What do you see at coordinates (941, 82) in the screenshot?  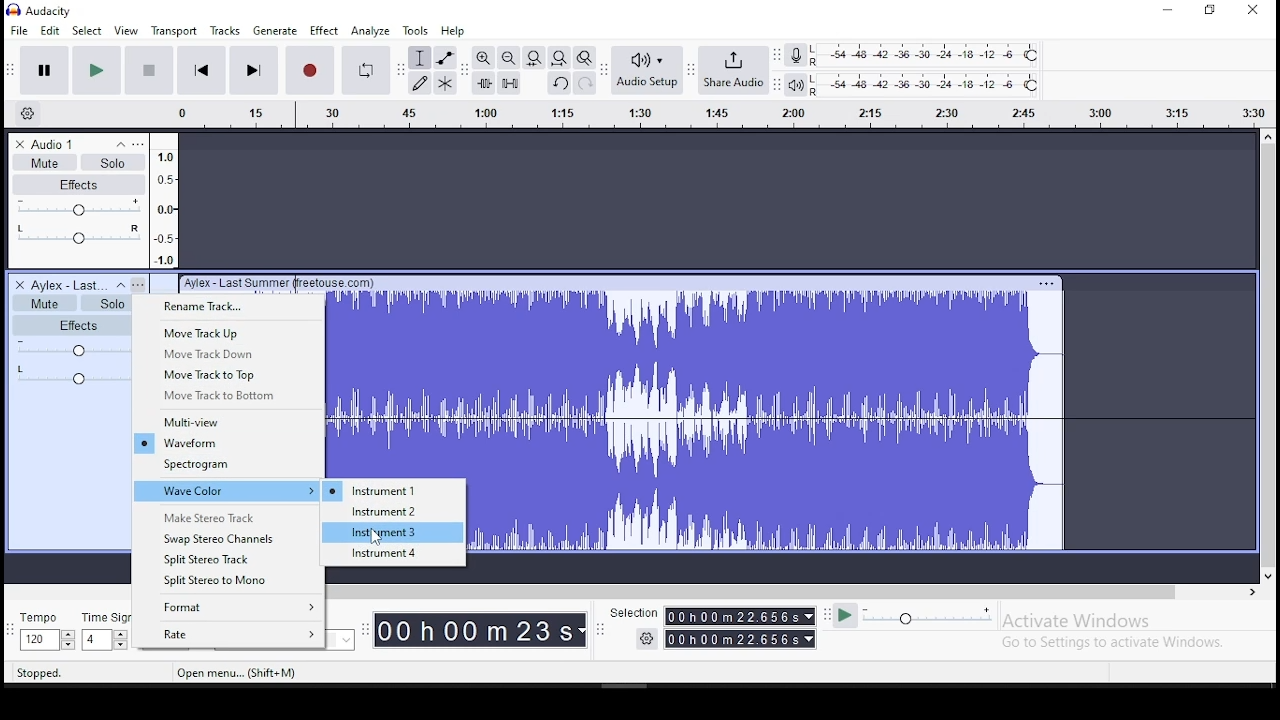 I see `playback level` at bounding box center [941, 82].